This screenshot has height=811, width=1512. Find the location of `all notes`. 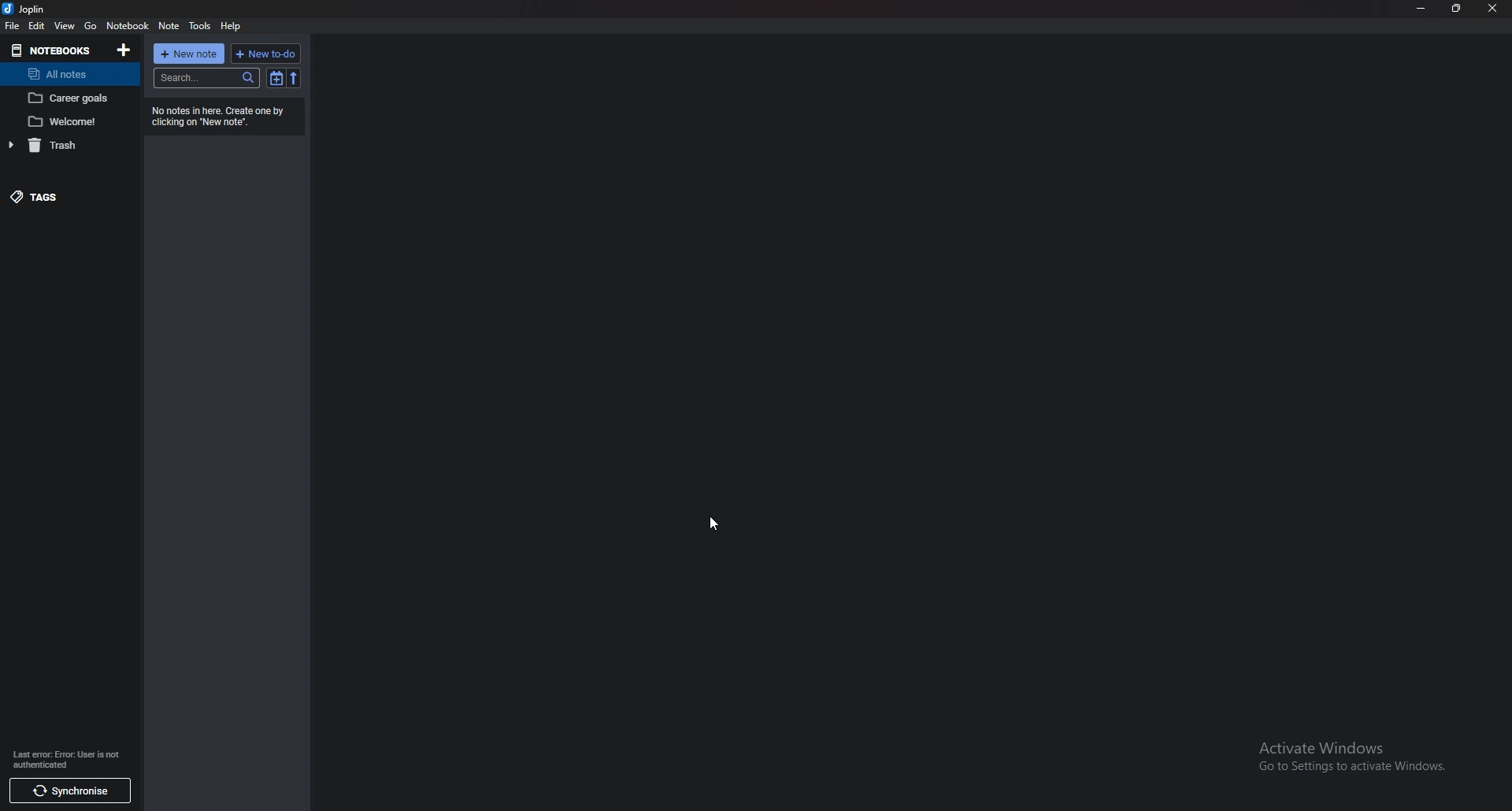

all notes is located at coordinates (67, 74).